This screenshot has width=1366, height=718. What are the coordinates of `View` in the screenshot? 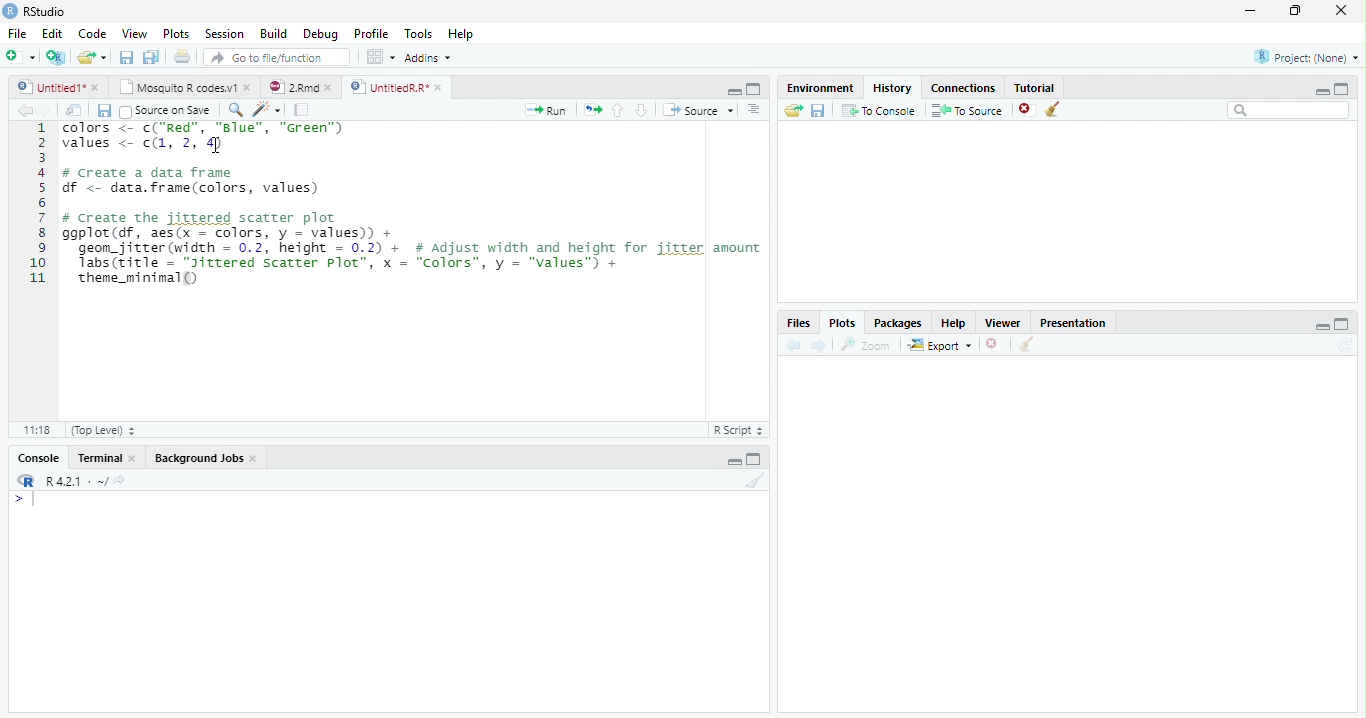 It's located at (134, 33).